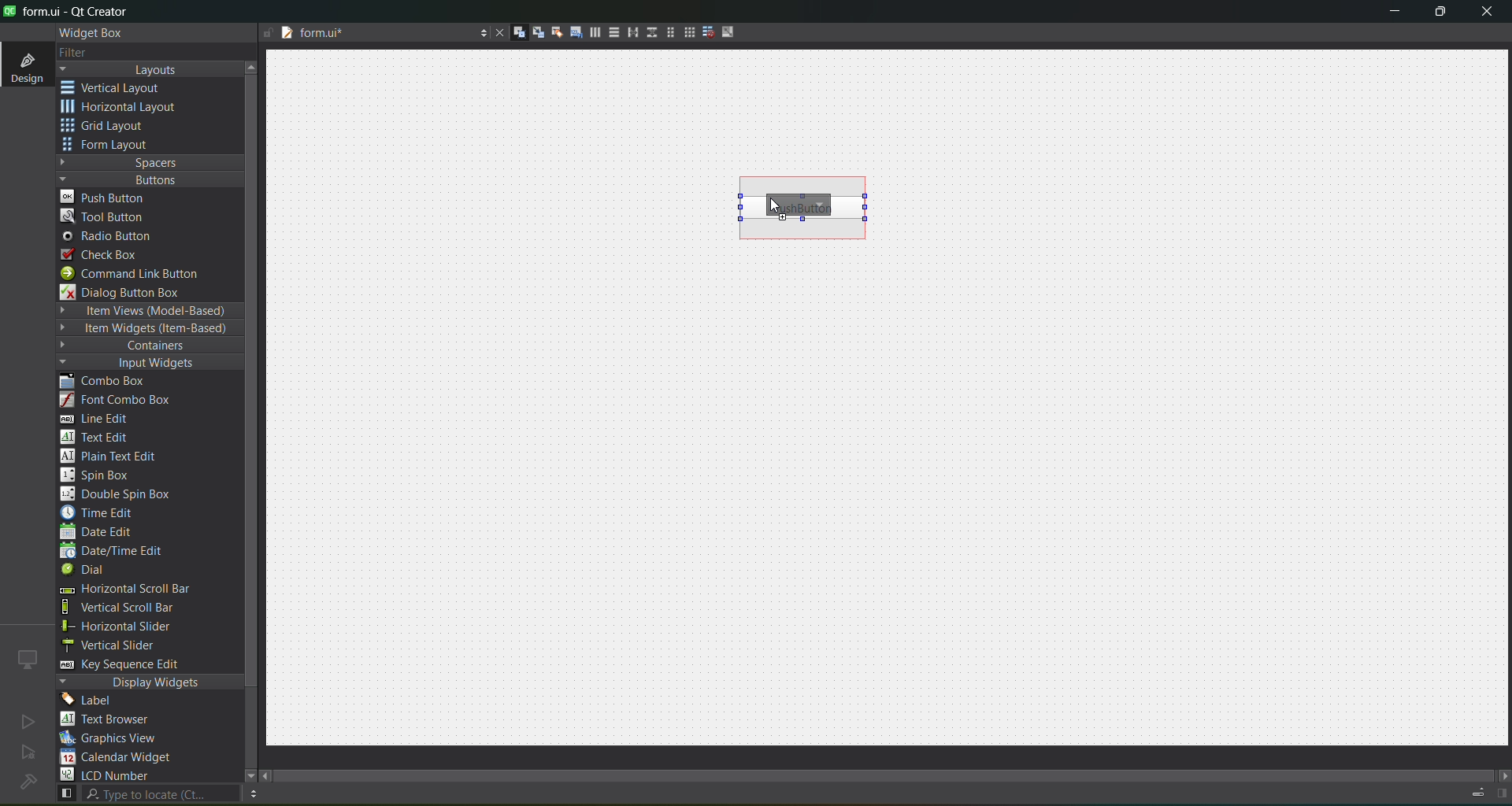 This screenshot has width=1512, height=806. I want to click on move right, so click(1503, 777).